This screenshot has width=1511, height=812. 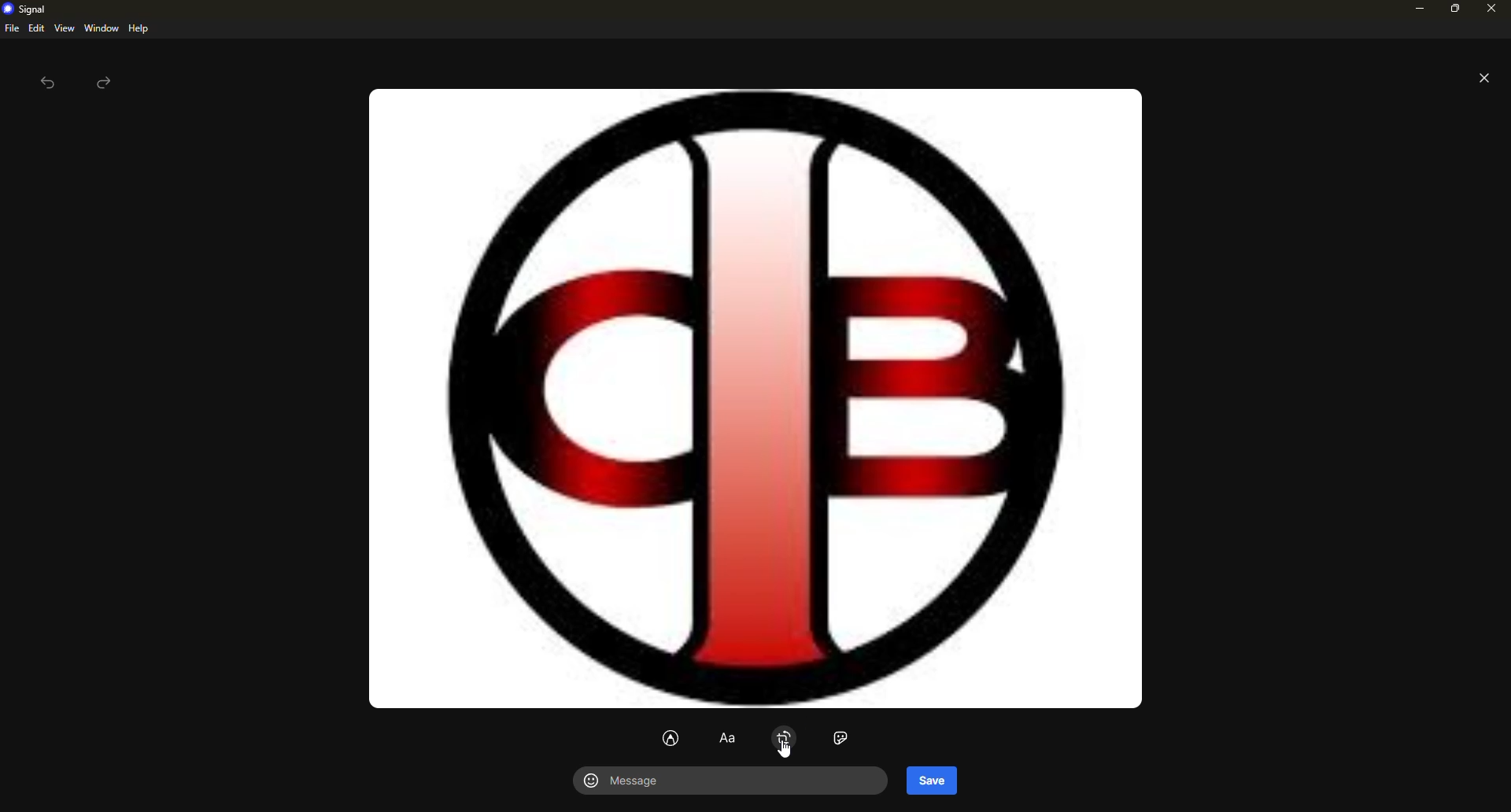 I want to click on view, so click(x=64, y=29).